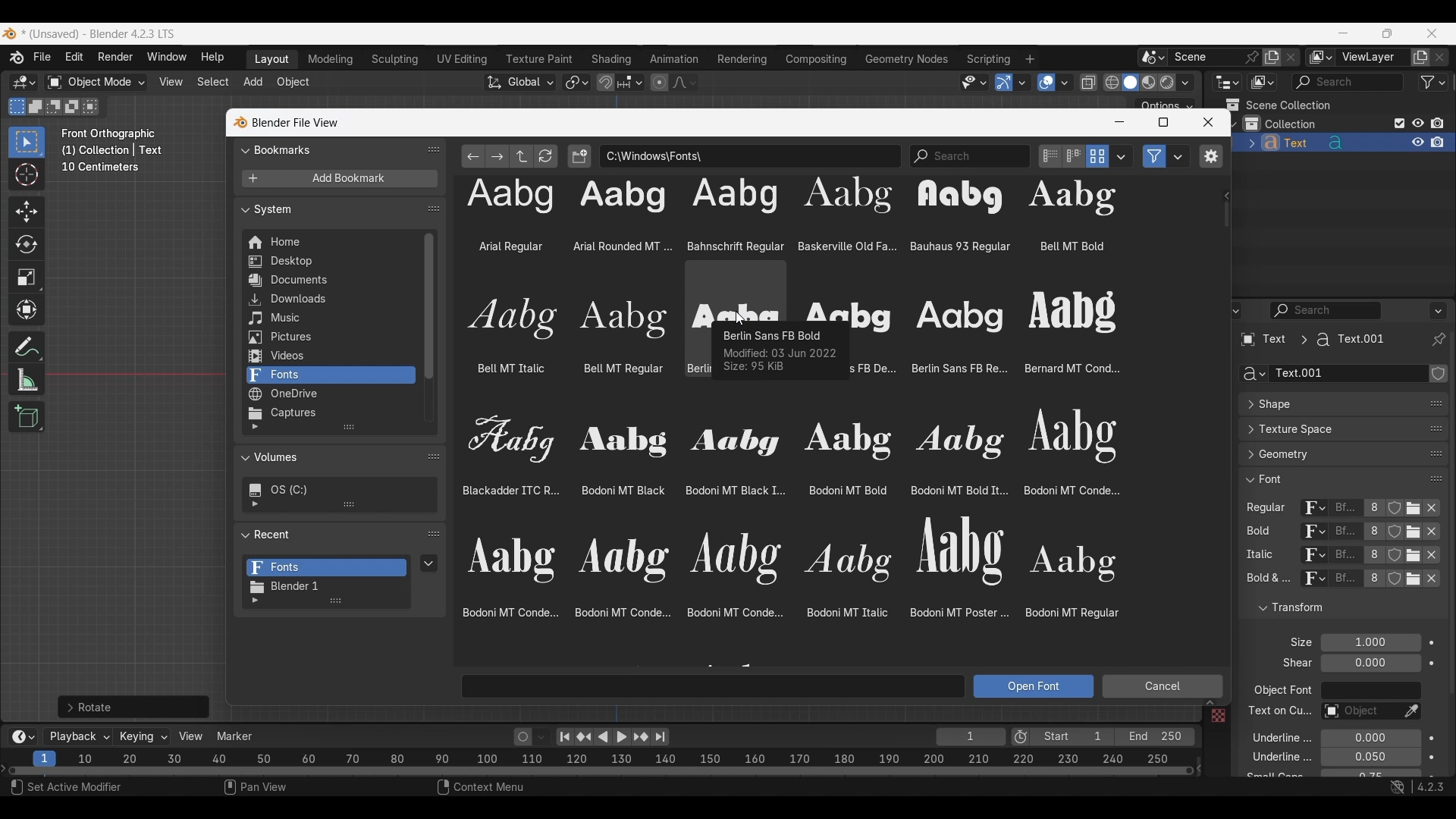 Image resolution: width=1456 pixels, height=819 pixels. What do you see at coordinates (1148, 82) in the screenshot?
I see `Viewport shading, material preview` at bounding box center [1148, 82].